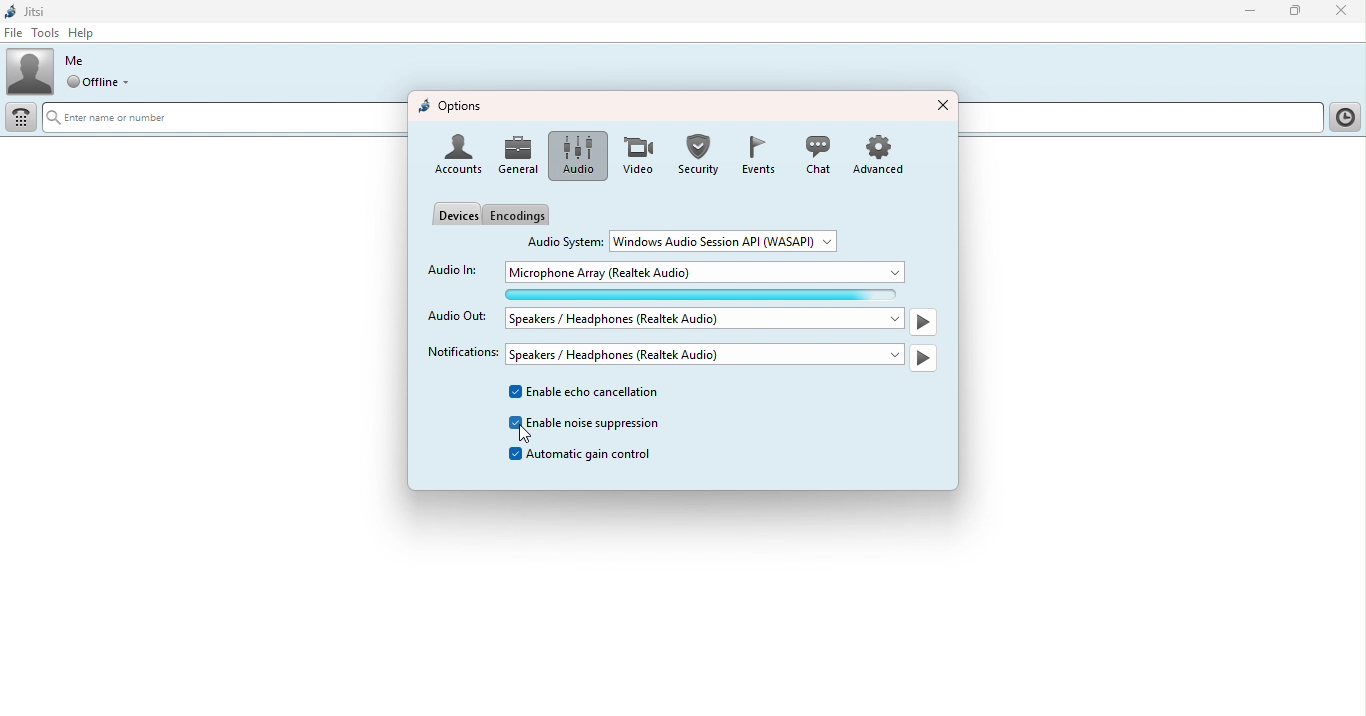 The height and width of the screenshot is (716, 1366). What do you see at coordinates (89, 32) in the screenshot?
I see `Help` at bounding box center [89, 32].